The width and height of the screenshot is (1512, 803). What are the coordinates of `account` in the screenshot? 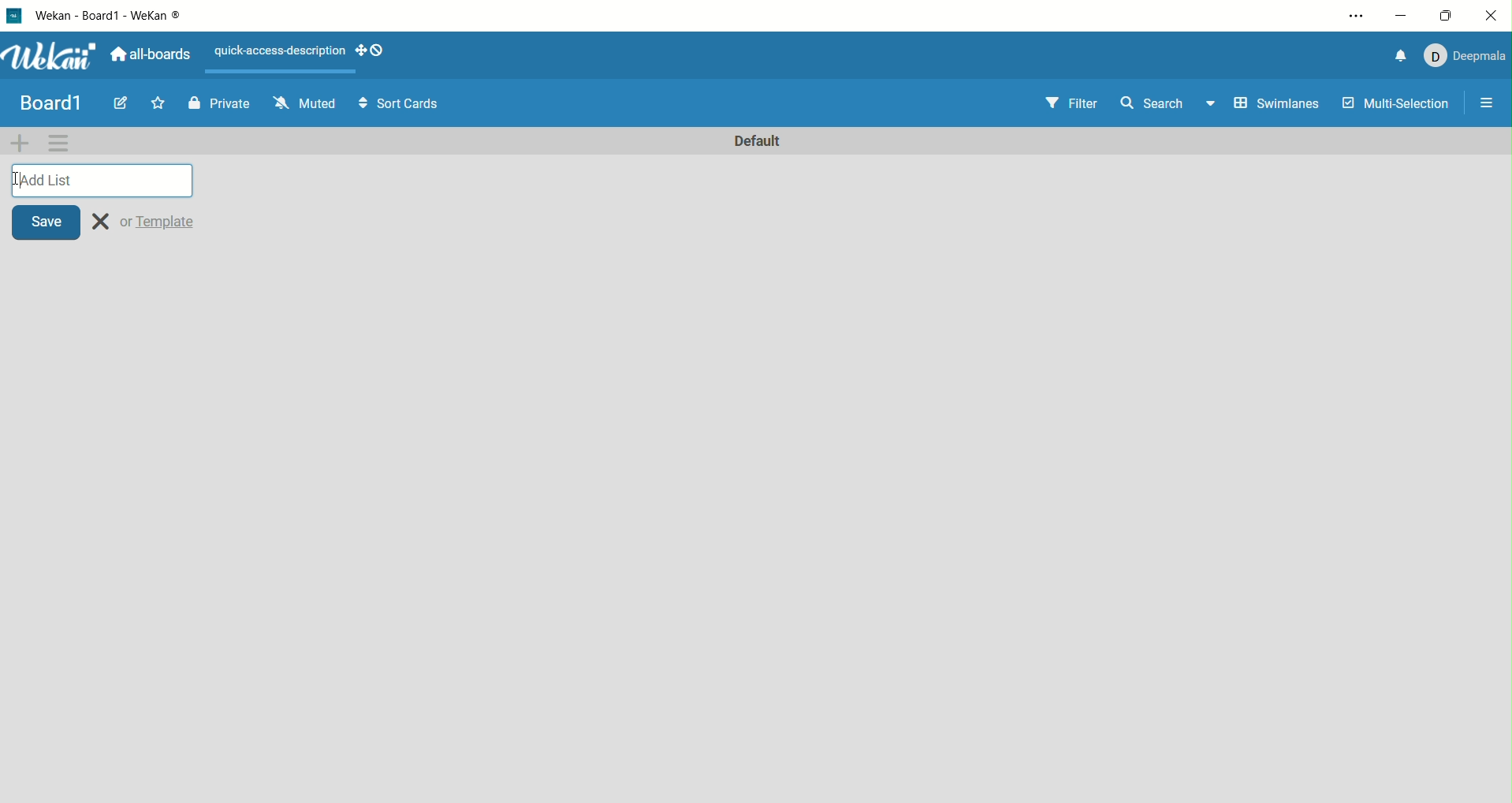 It's located at (1469, 57).